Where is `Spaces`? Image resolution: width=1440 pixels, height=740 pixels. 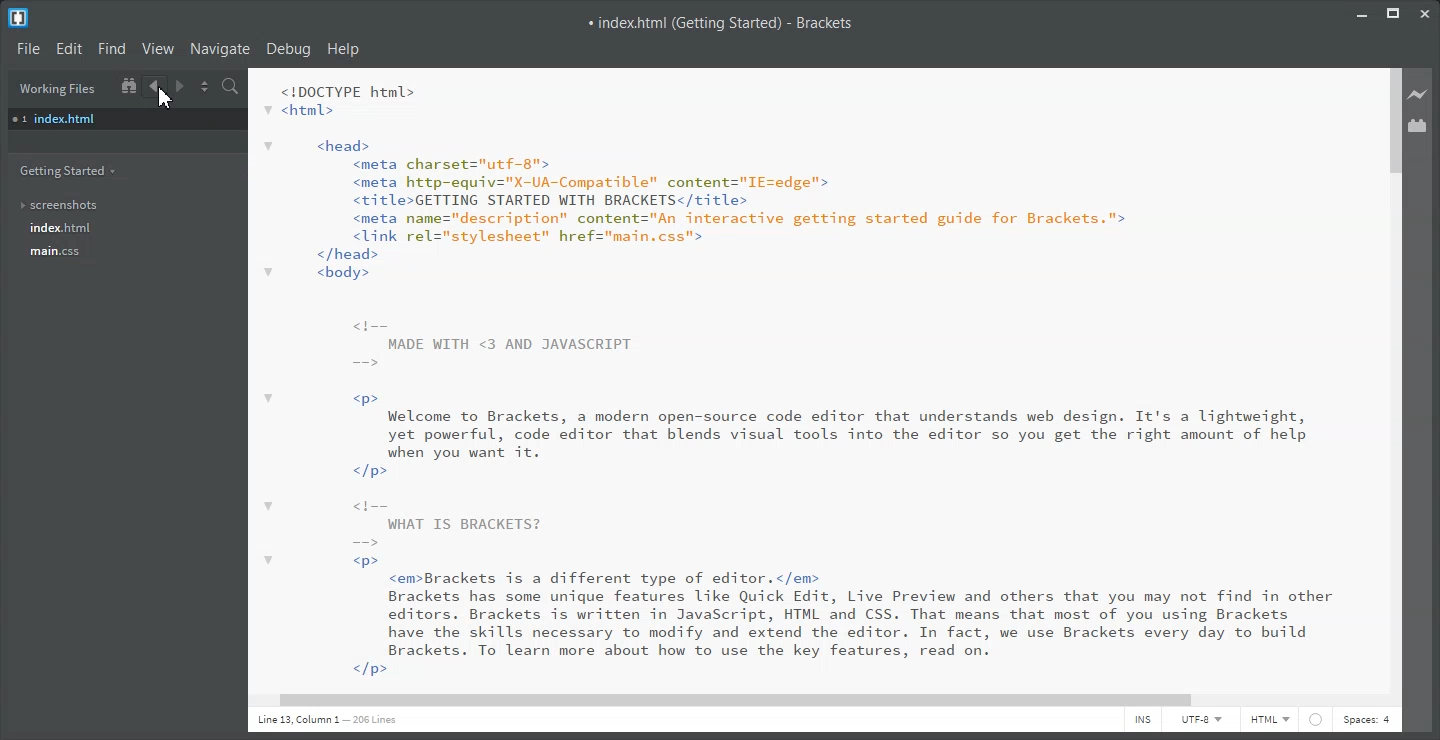 Spaces is located at coordinates (1367, 721).